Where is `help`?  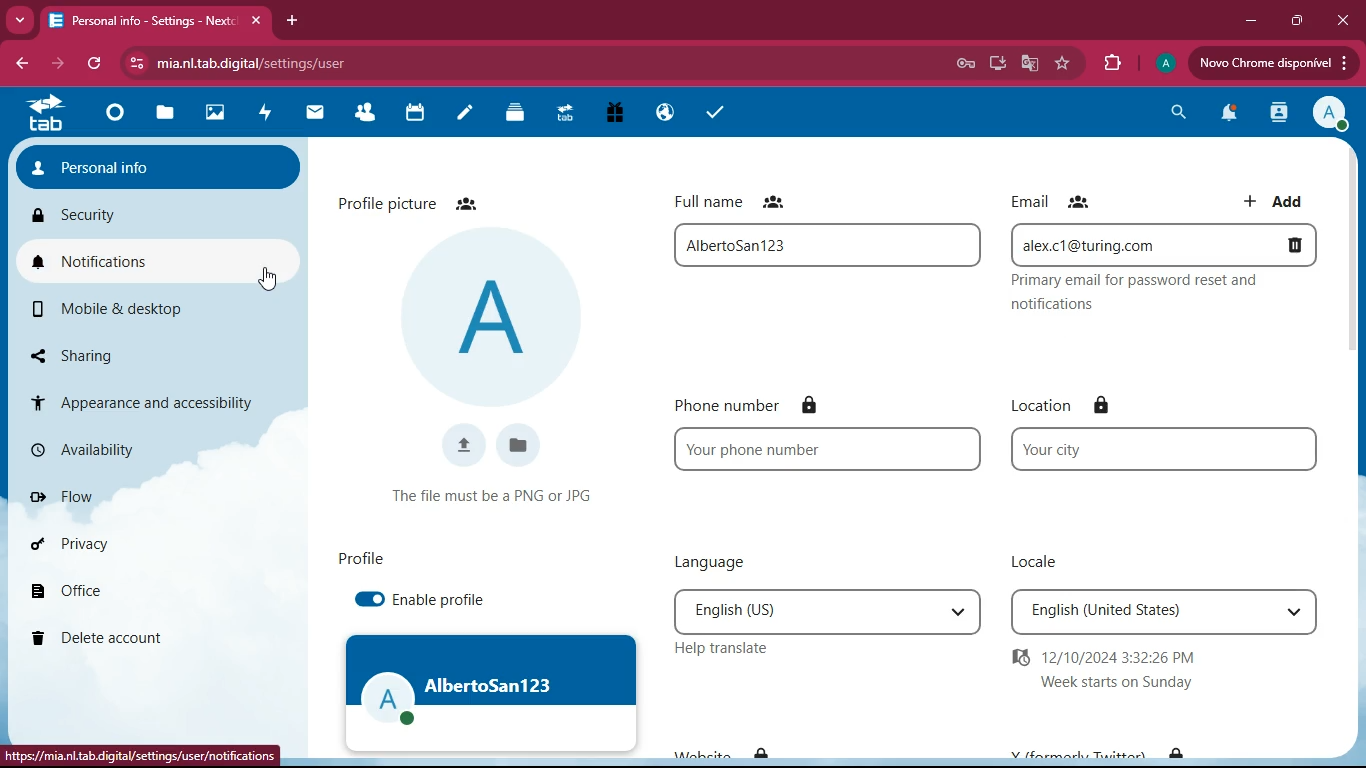 help is located at coordinates (742, 650).